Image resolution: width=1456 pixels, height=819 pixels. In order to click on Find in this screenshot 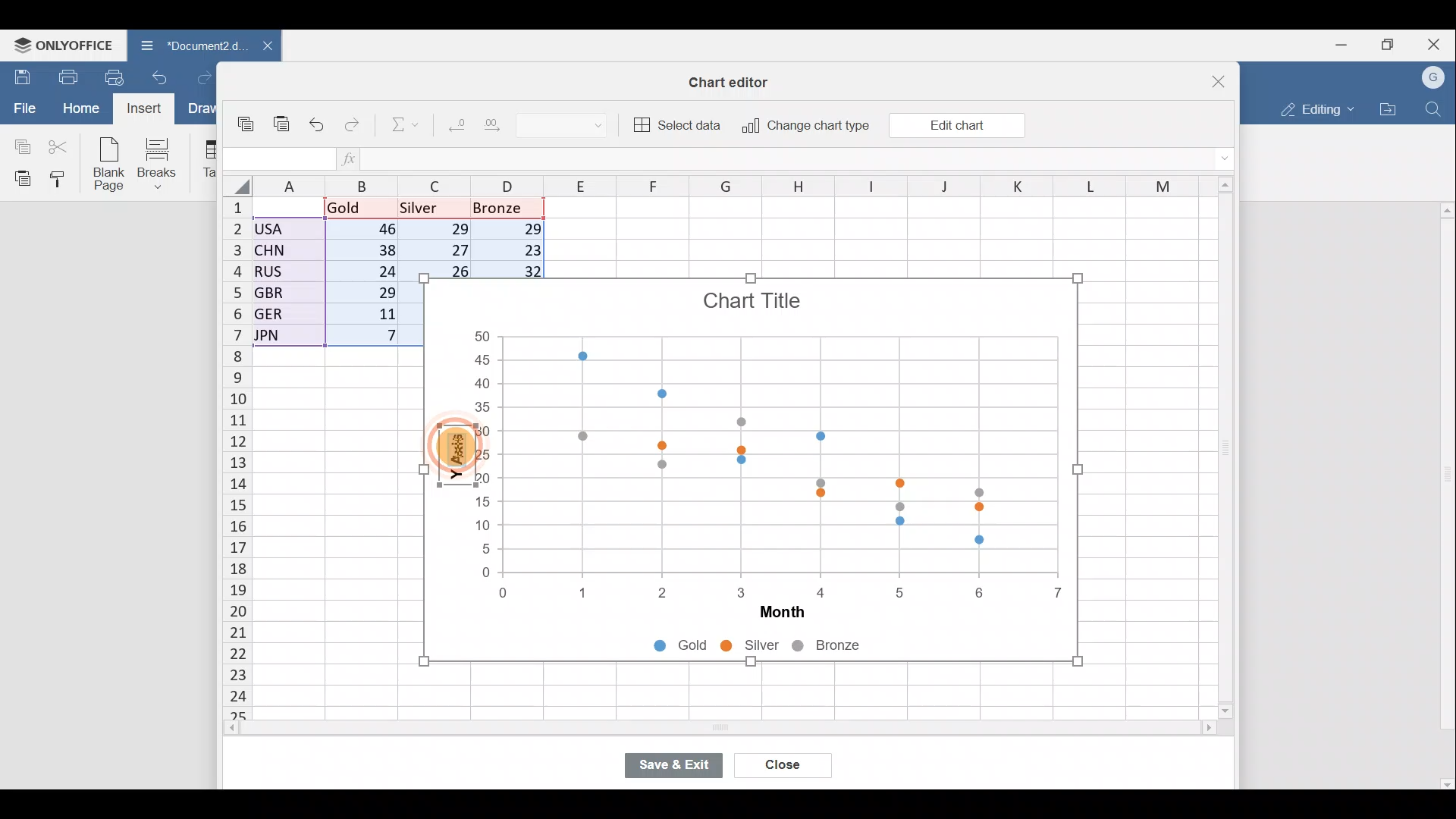, I will do `click(1434, 109)`.